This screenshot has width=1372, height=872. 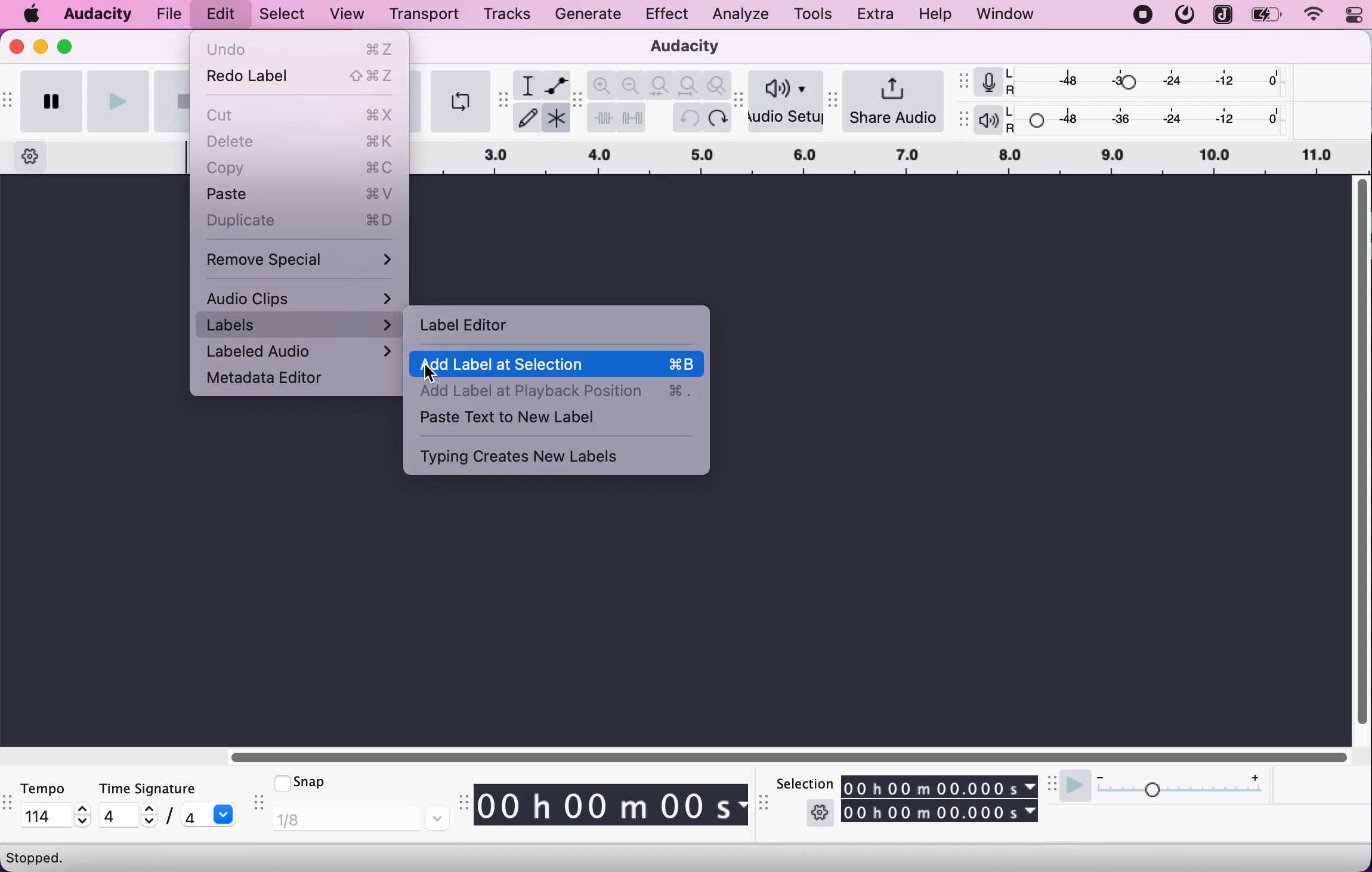 What do you see at coordinates (1143, 15) in the screenshot?
I see `recording stopped` at bounding box center [1143, 15].